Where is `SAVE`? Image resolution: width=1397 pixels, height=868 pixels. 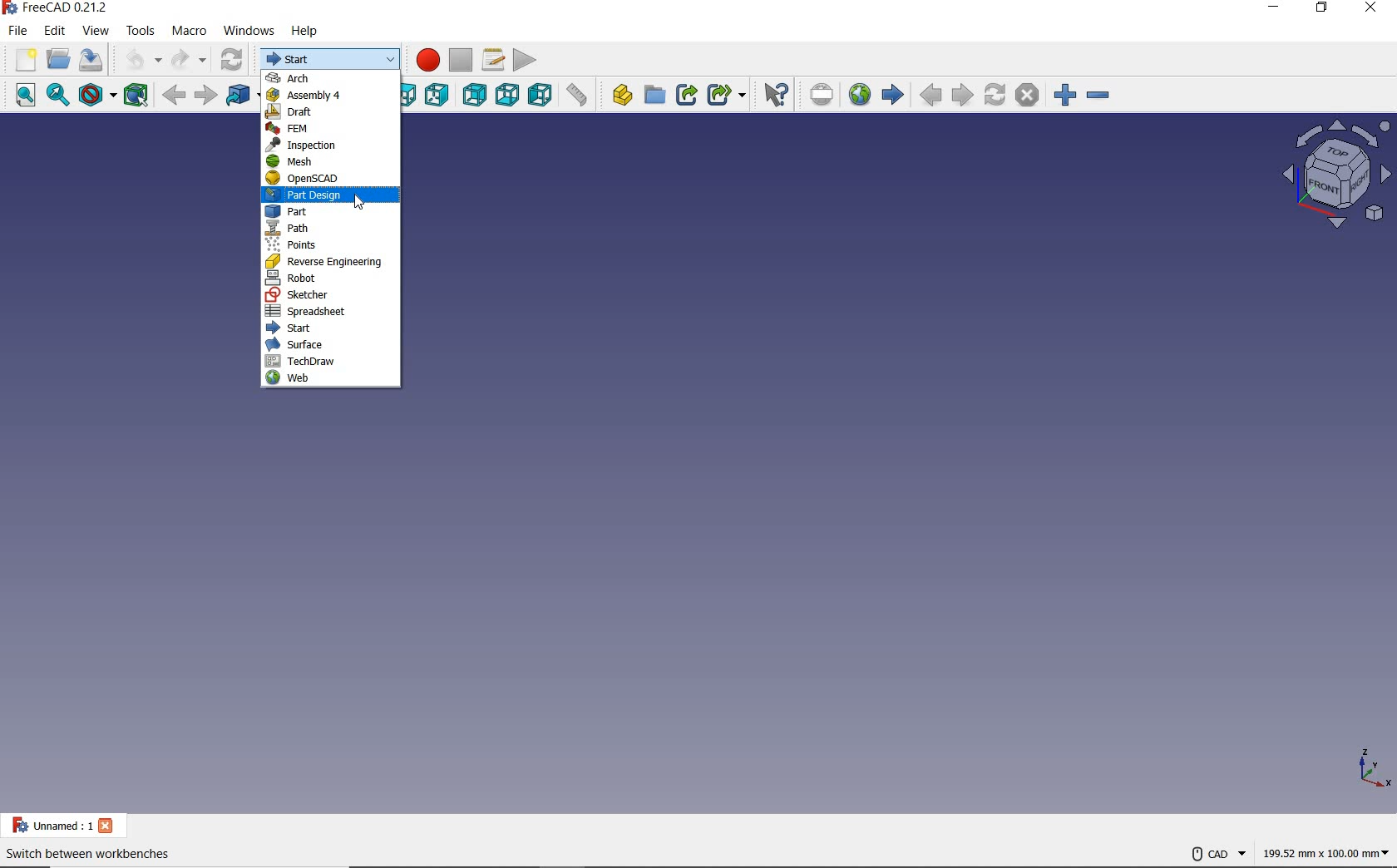
SAVE is located at coordinates (95, 60).